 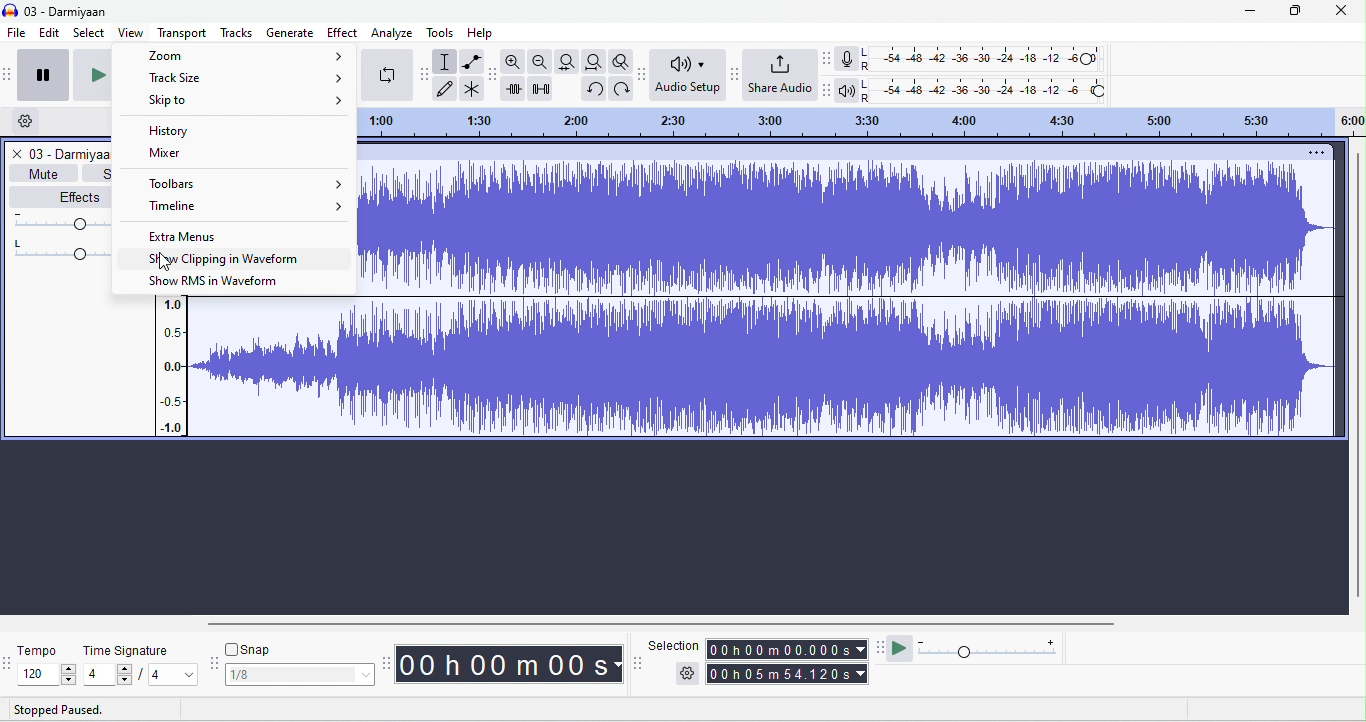 What do you see at coordinates (425, 73) in the screenshot?
I see `audacity tools toolbar` at bounding box center [425, 73].